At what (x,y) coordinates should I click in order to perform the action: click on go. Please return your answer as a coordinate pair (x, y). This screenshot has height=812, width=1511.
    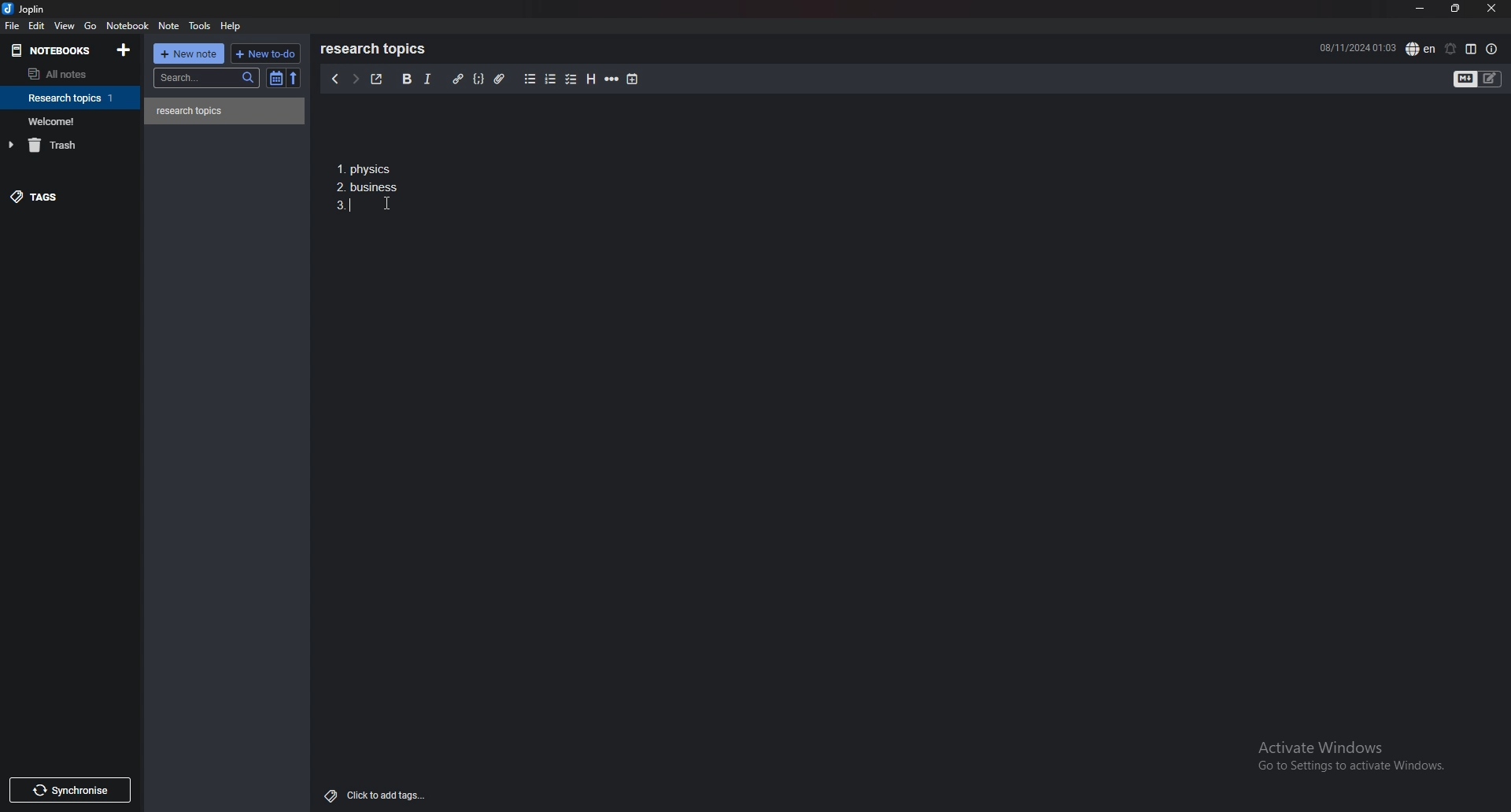
    Looking at the image, I should click on (90, 26).